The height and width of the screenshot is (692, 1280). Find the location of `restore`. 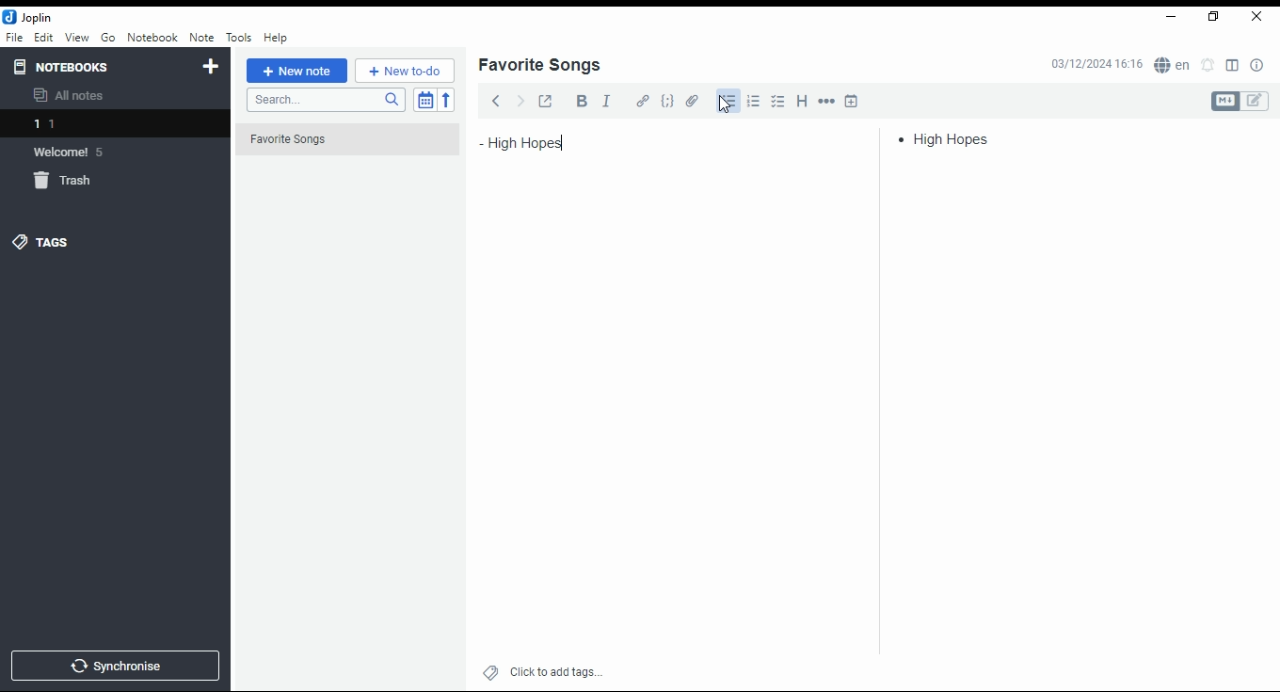

restore is located at coordinates (1216, 17).